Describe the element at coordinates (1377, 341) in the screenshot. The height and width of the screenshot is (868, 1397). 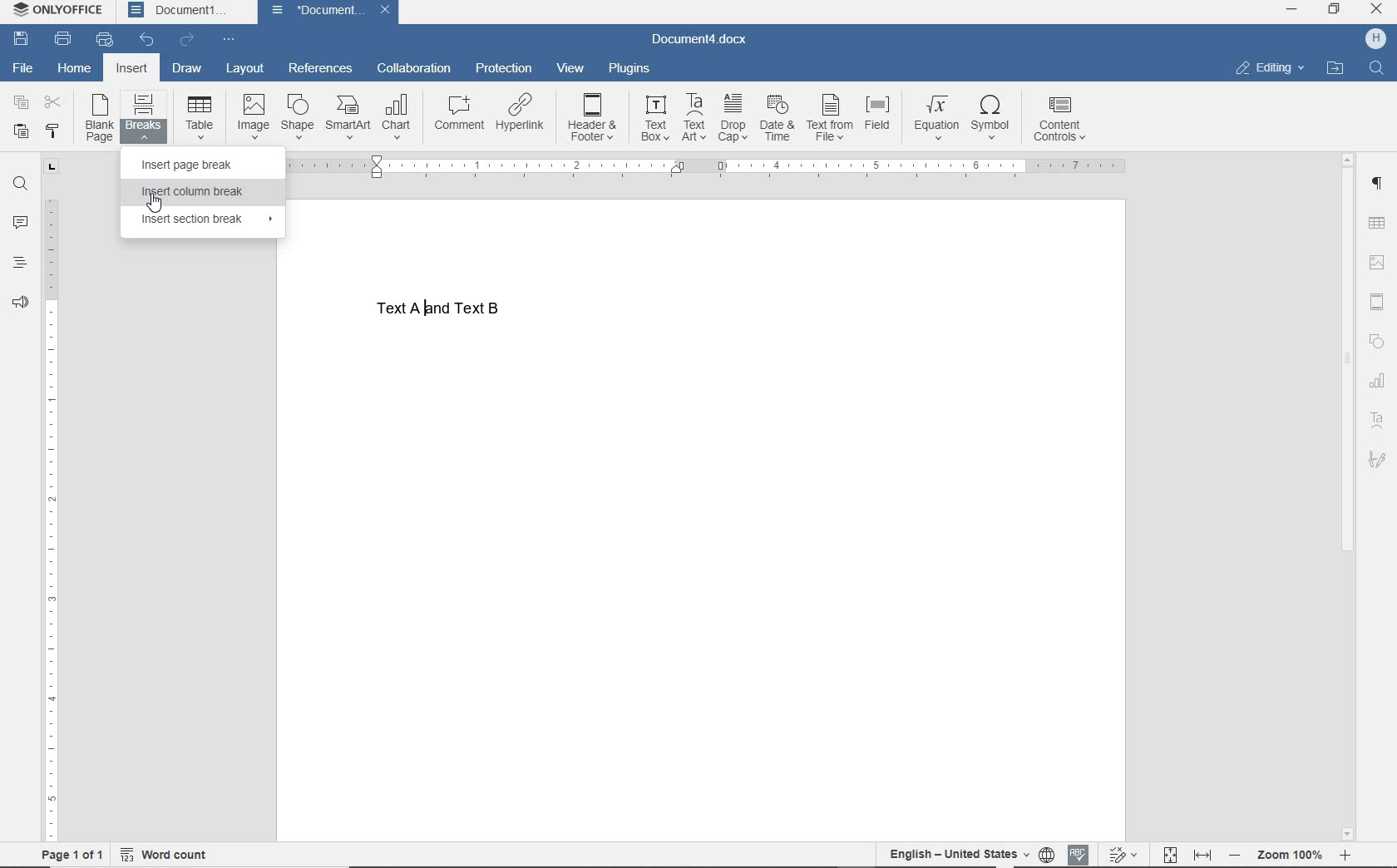
I see `SHAPE` at that location.